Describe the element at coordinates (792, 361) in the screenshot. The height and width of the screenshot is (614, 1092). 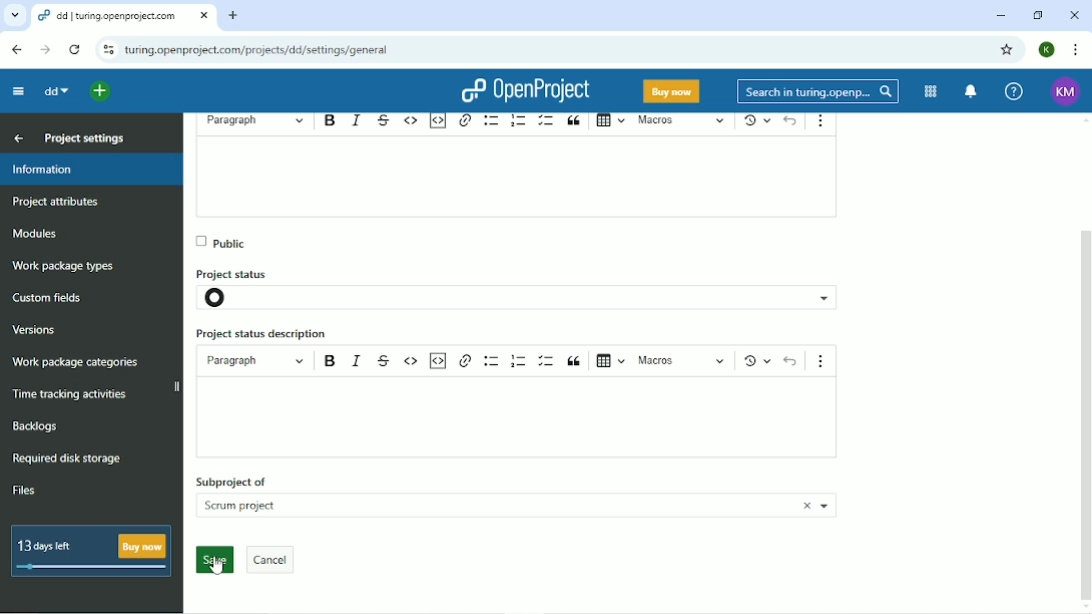
I see `undo` at that location.